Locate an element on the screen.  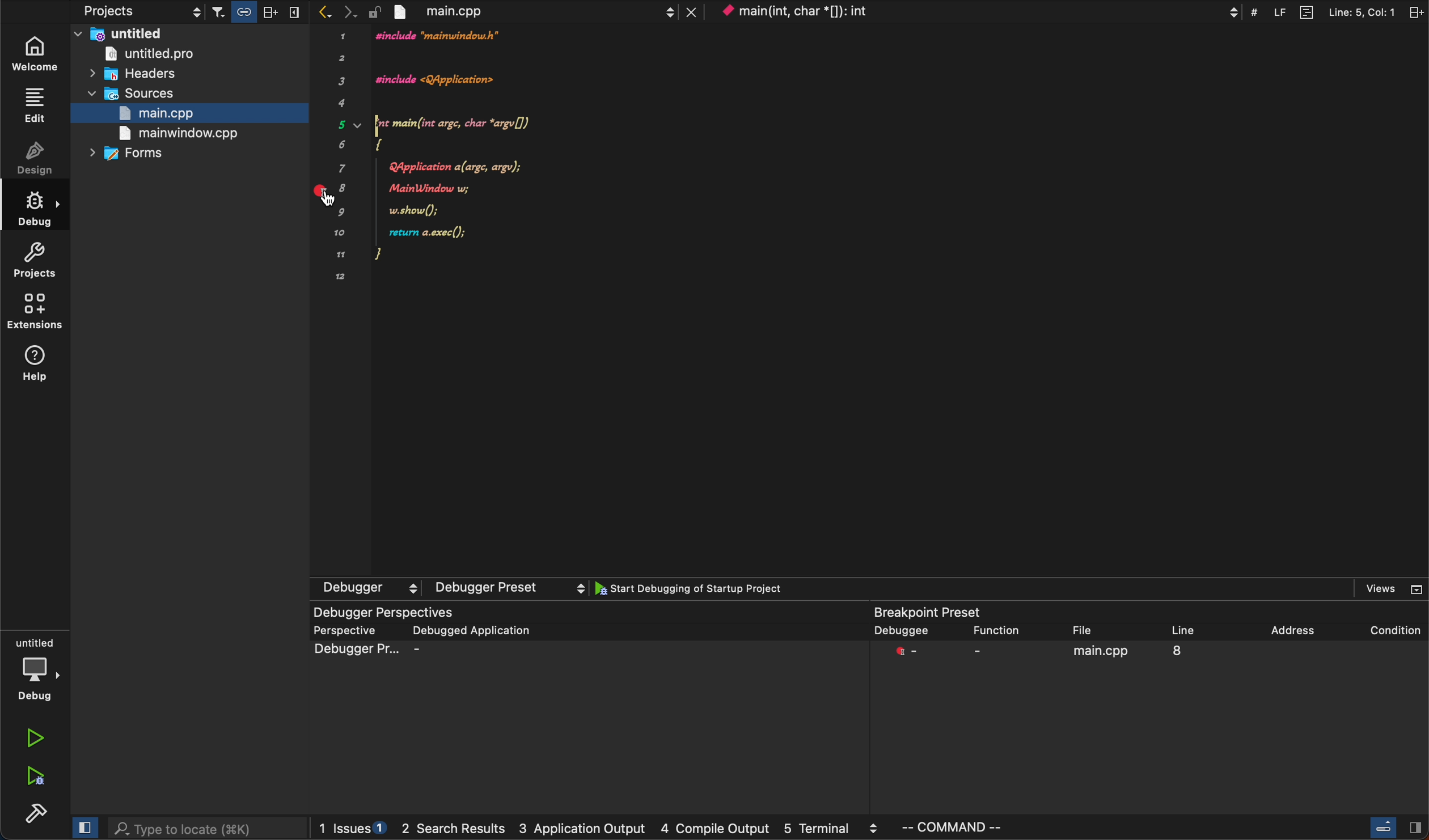
function is located at coordinates (996, 631).